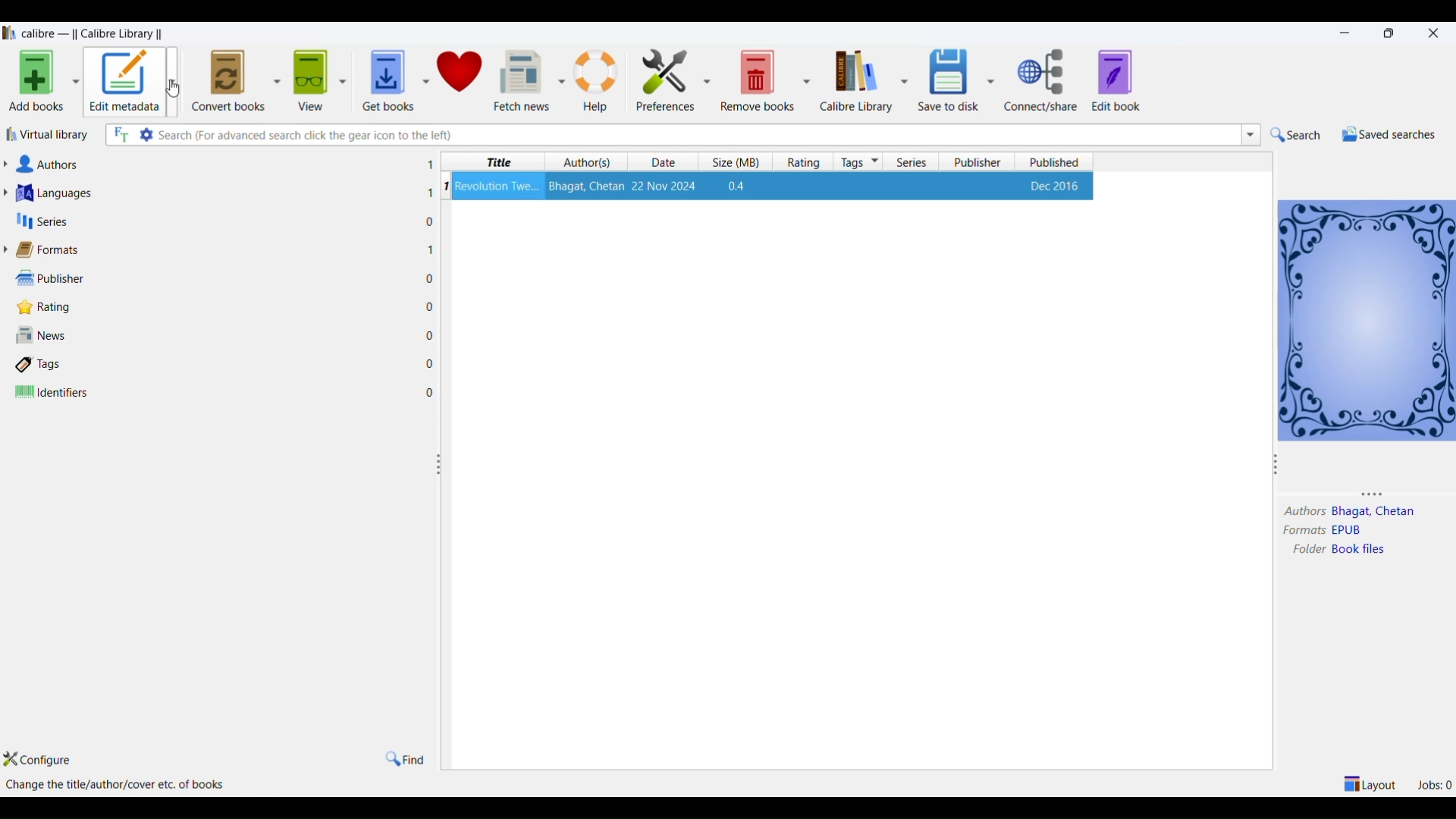  What do you see at coordinates (425, 73) in the screenshot?
I see `get books options dropdown button` at bounding box center [425, 73].